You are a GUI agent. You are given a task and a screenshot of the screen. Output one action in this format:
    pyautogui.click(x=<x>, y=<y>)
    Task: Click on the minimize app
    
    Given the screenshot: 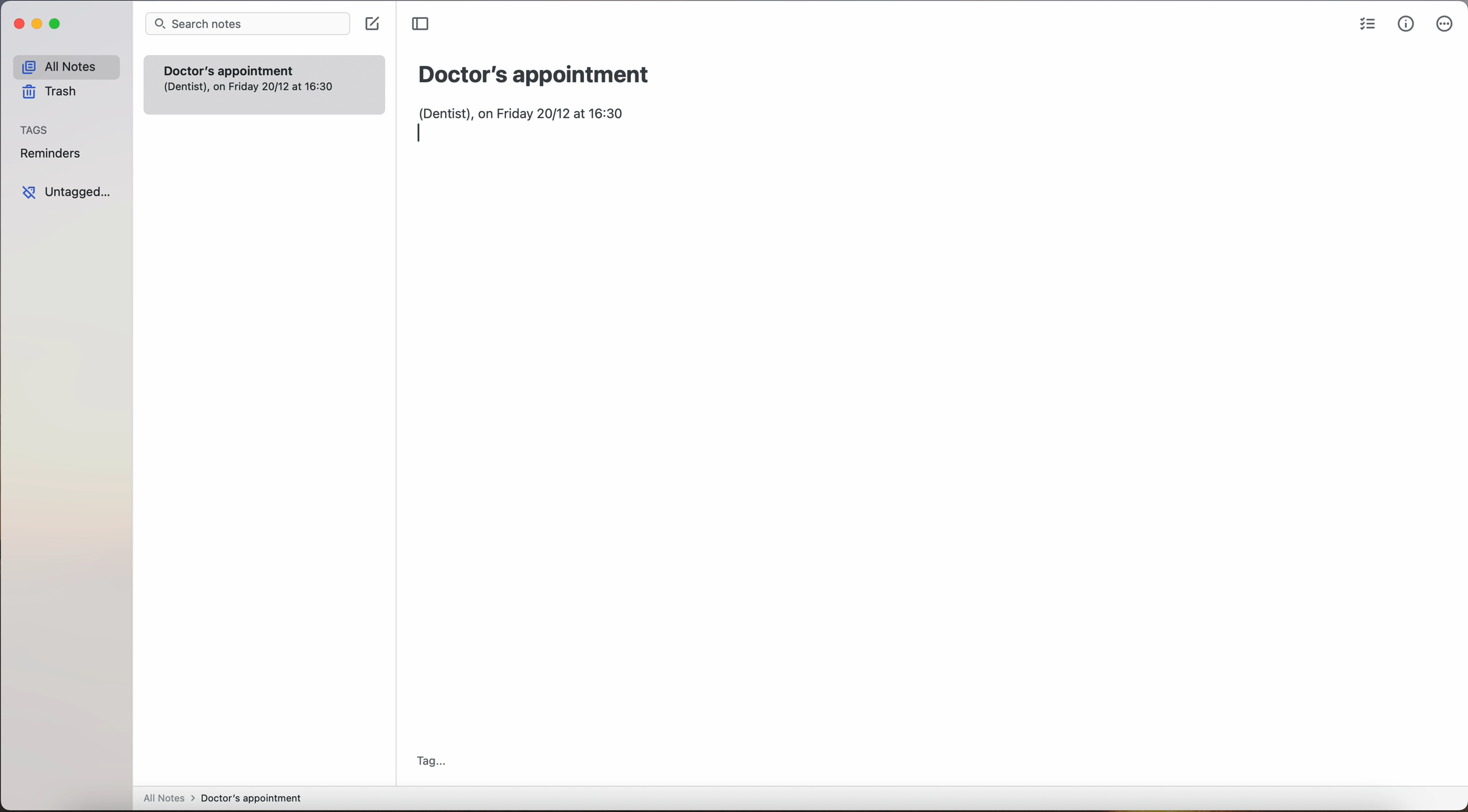 What is the action you would take?
    pyautogui.click(x=38, y=25)
    